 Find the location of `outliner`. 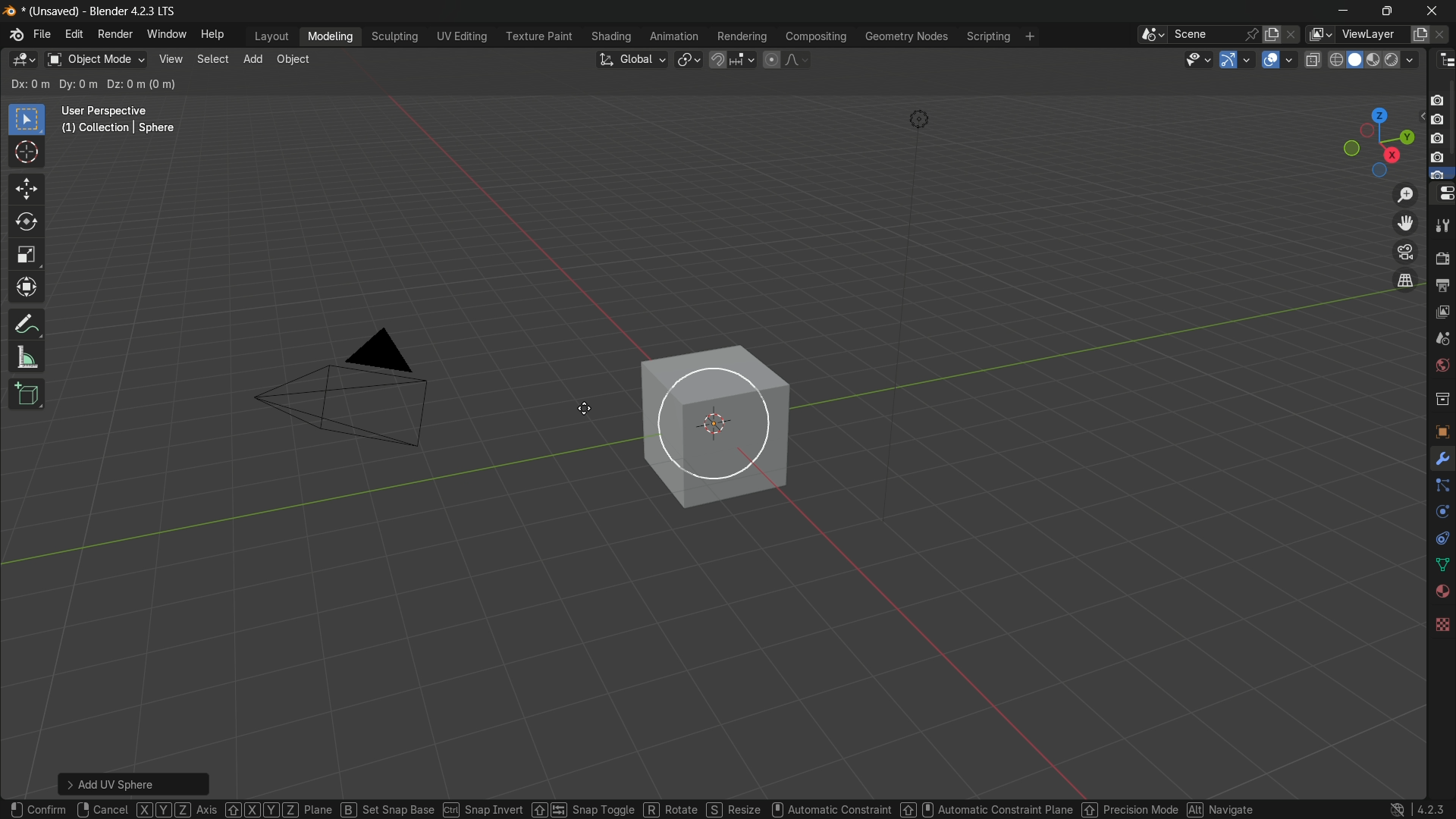

outliner is located at coordinates (1441, 61).